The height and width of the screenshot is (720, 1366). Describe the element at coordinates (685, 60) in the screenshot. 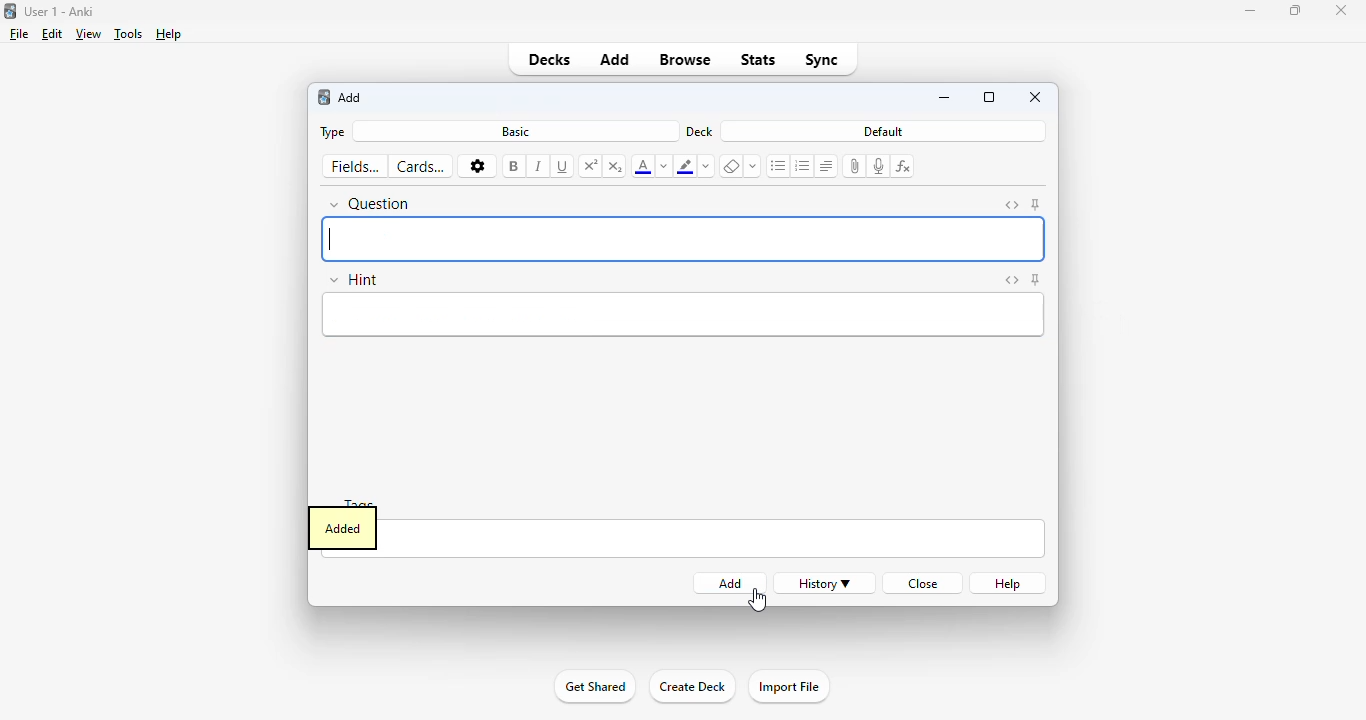

I see `browse` at that location.